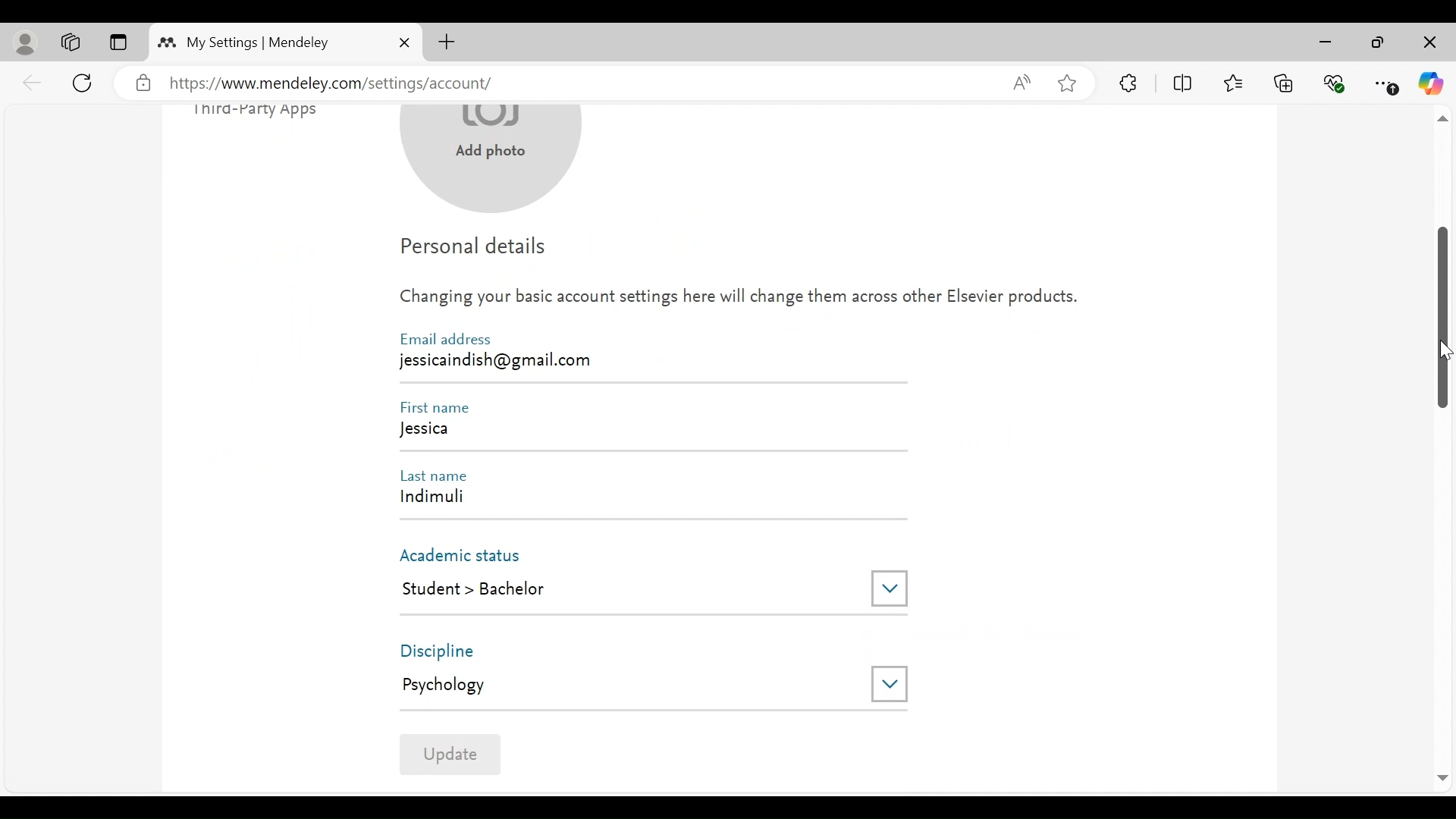  I want to click on Drop down, so click(889, 682).